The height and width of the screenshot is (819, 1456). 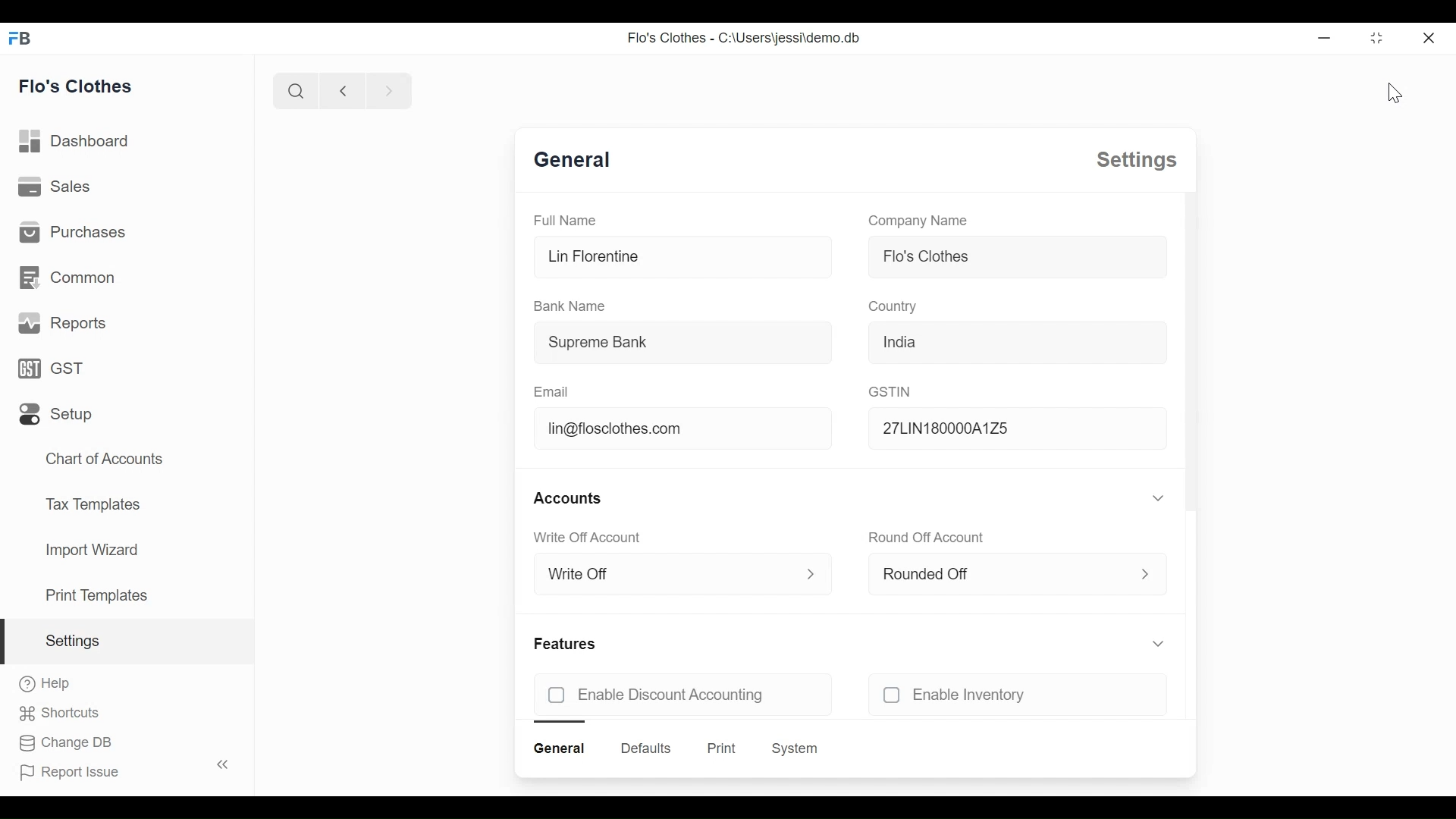 I want to click on Expand, so click(x=1143, y=570).